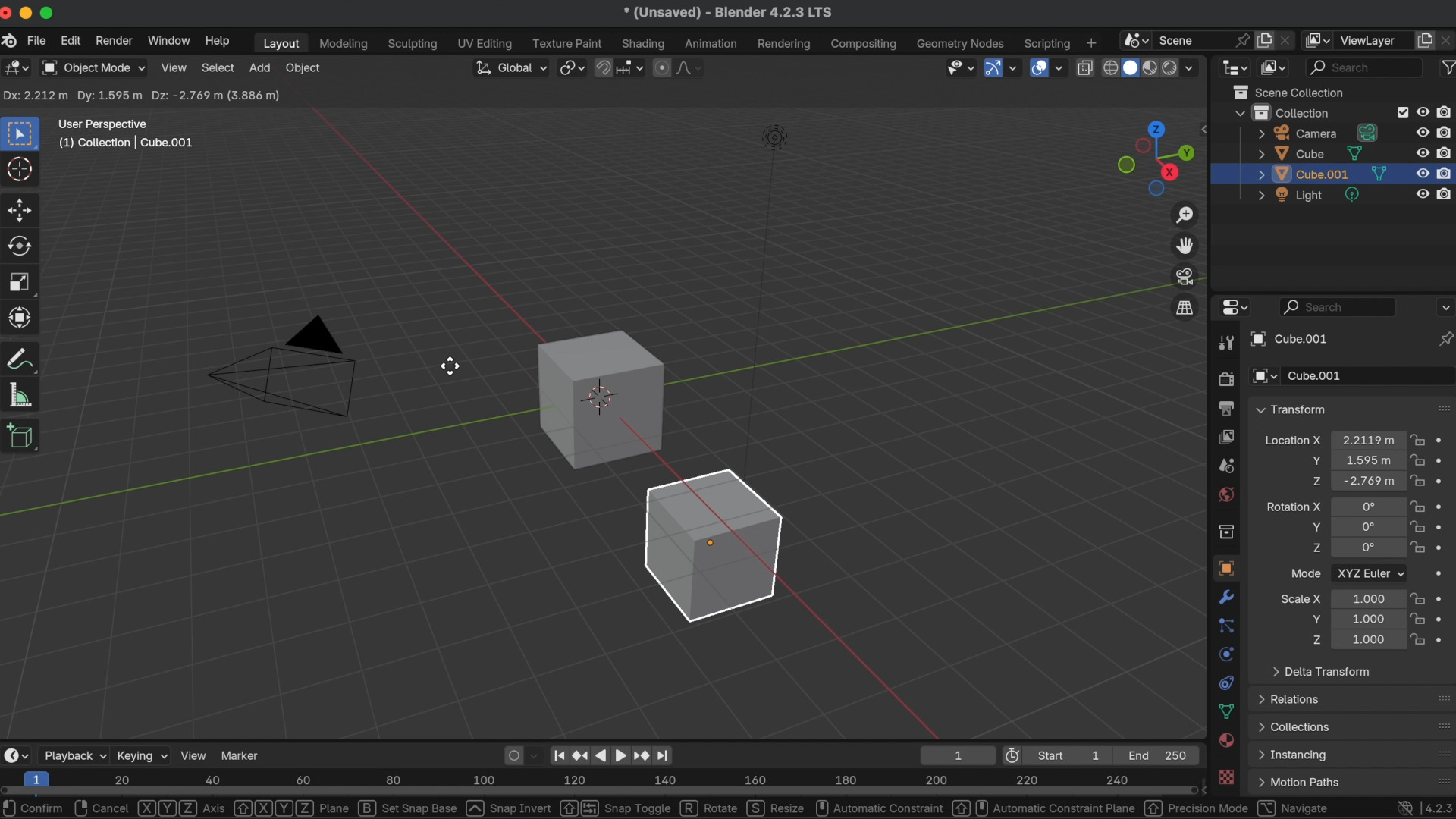 The height and width of the screenshot is (819, 1456). I want to click on 1, so click(955, 755).